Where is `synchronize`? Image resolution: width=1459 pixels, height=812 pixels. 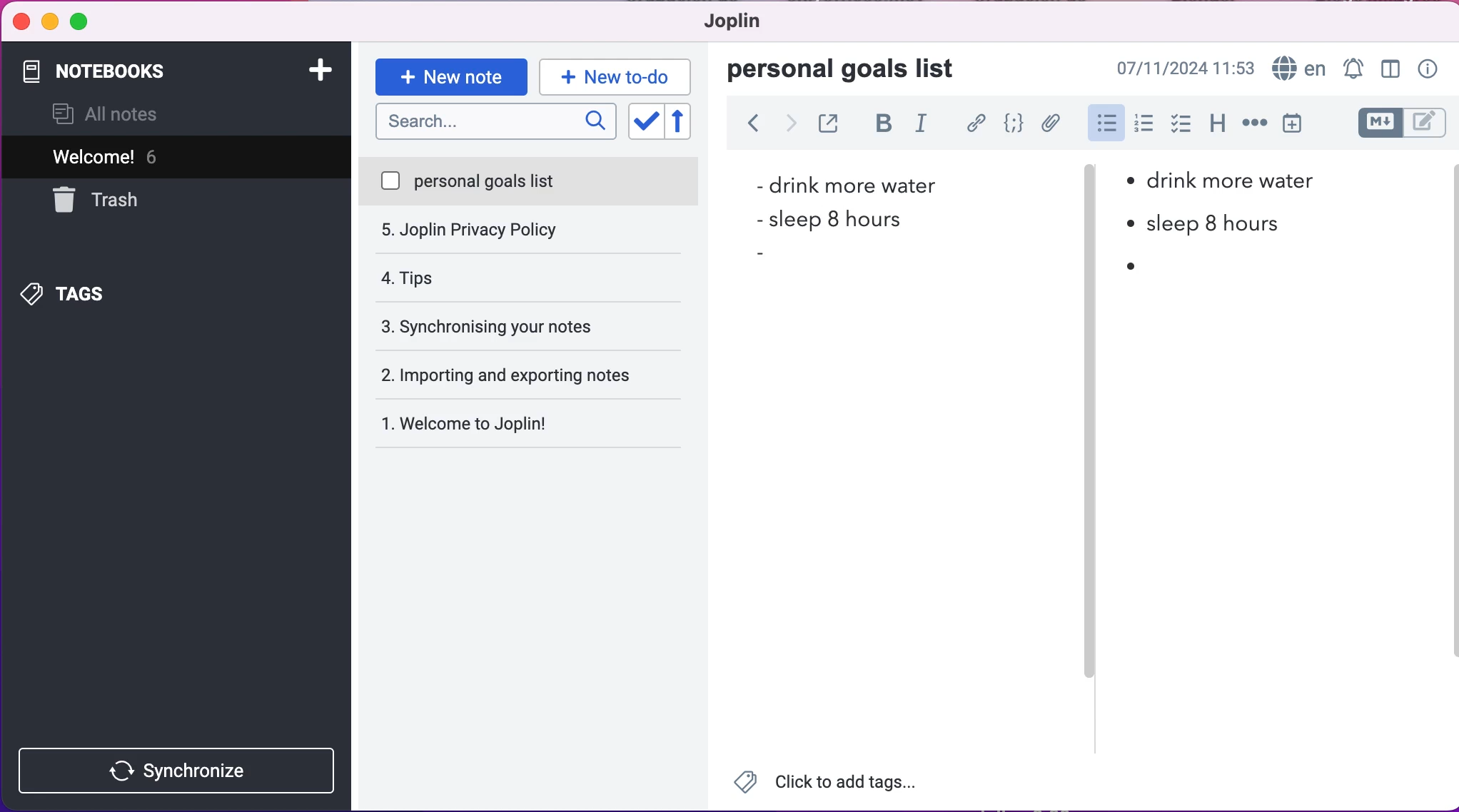
synchronize is located at coordinates (181, 770).